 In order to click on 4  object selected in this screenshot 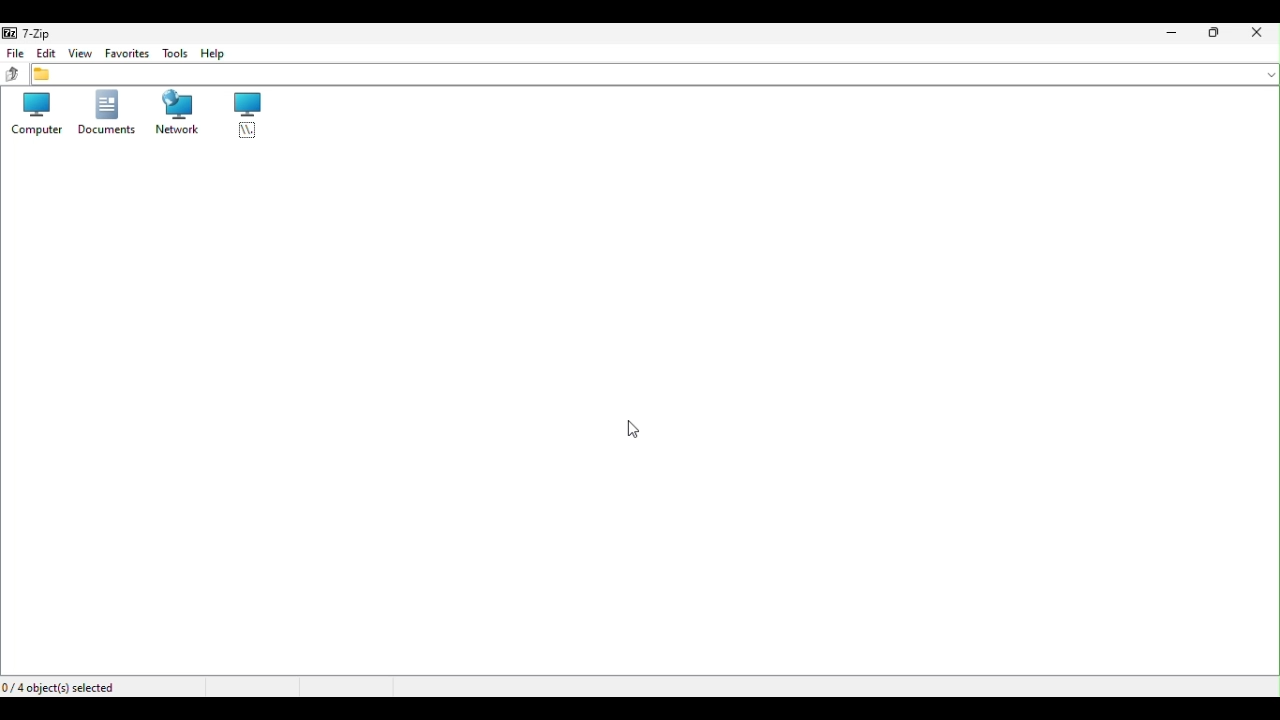, I will do `click(66, 685)`.